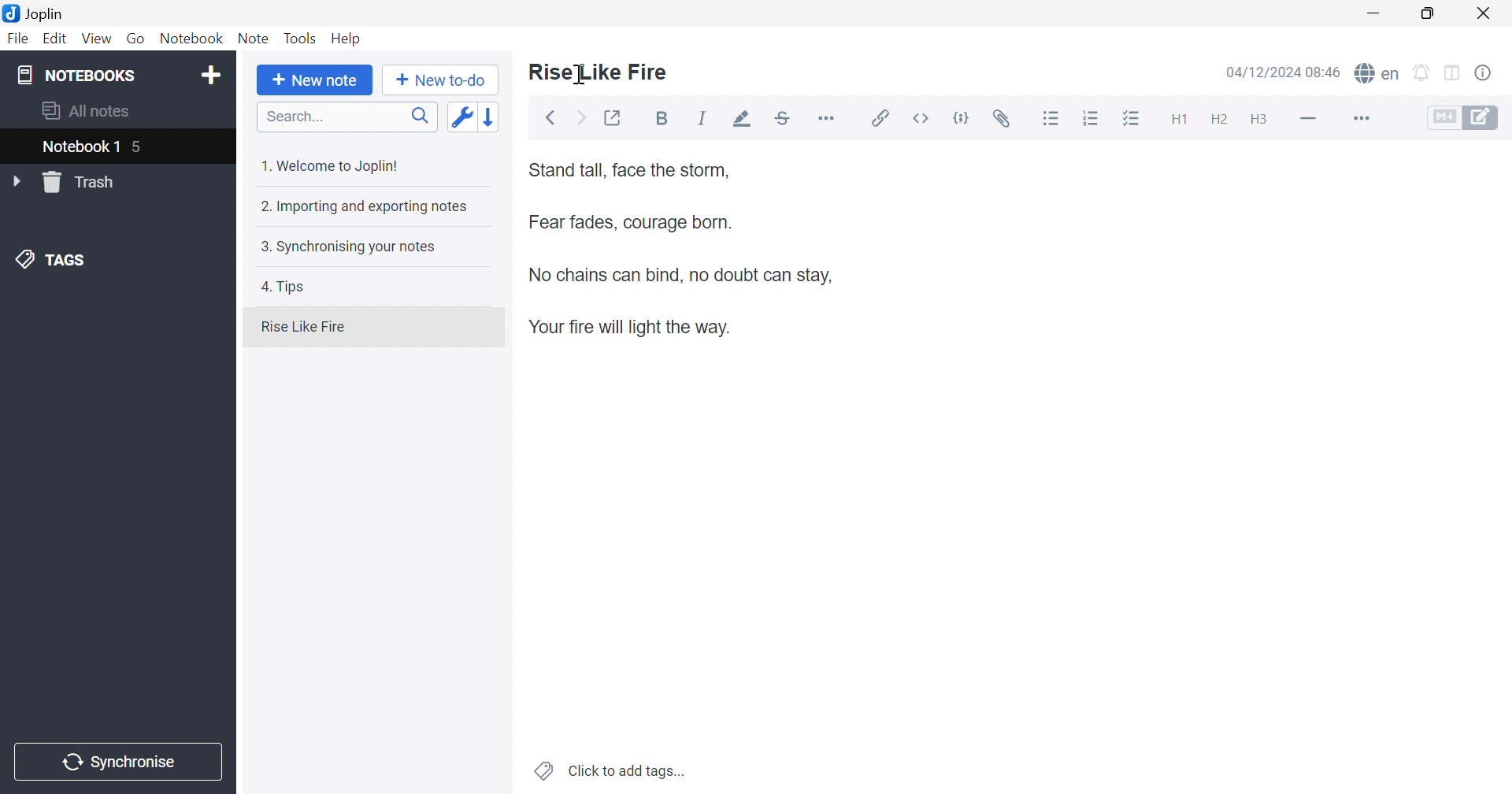  Describe the element at coordinates (74, 76) in the screenshot. I see `NOTEBOOKS` at that location.